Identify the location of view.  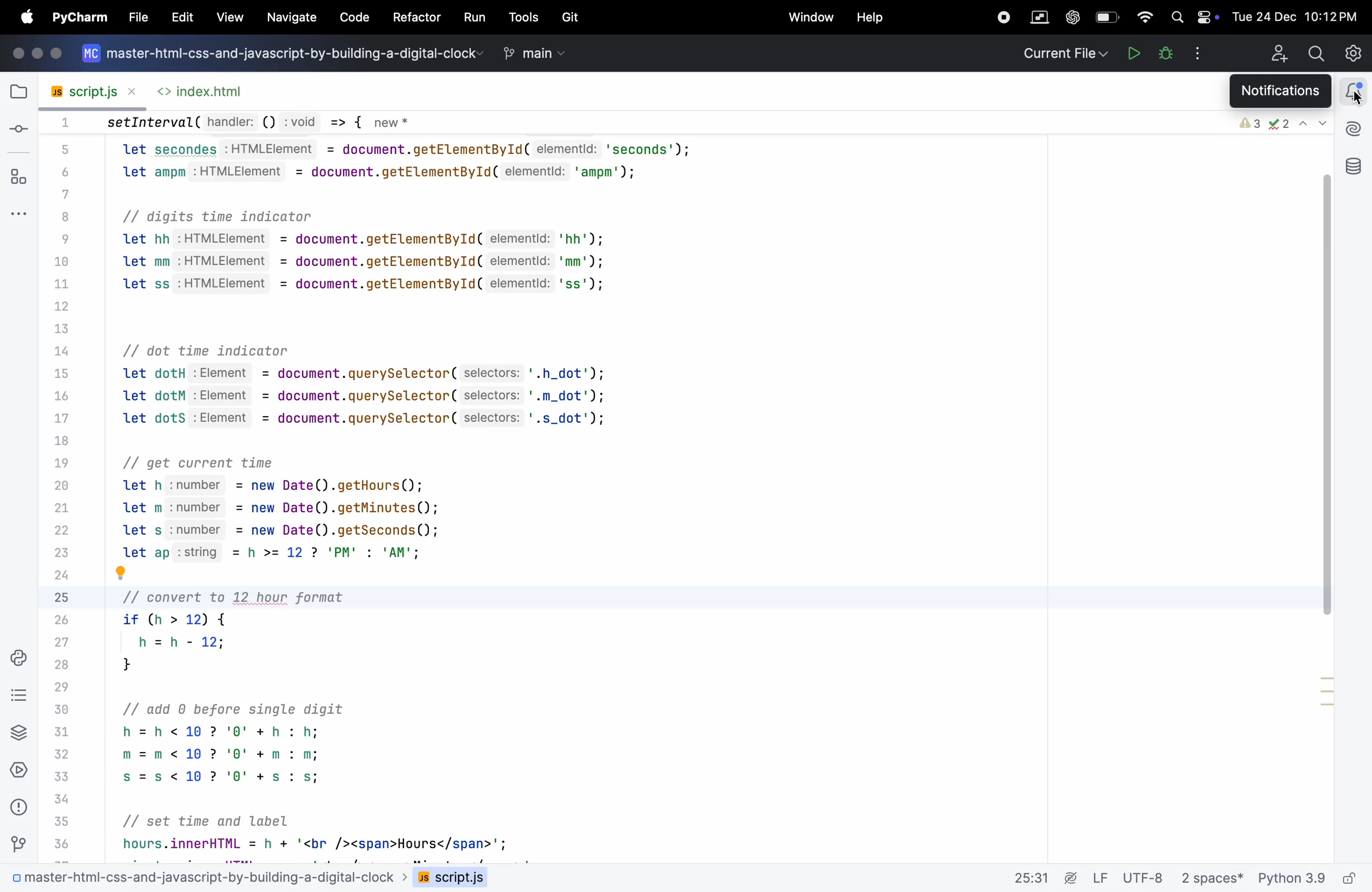
(228, 16).